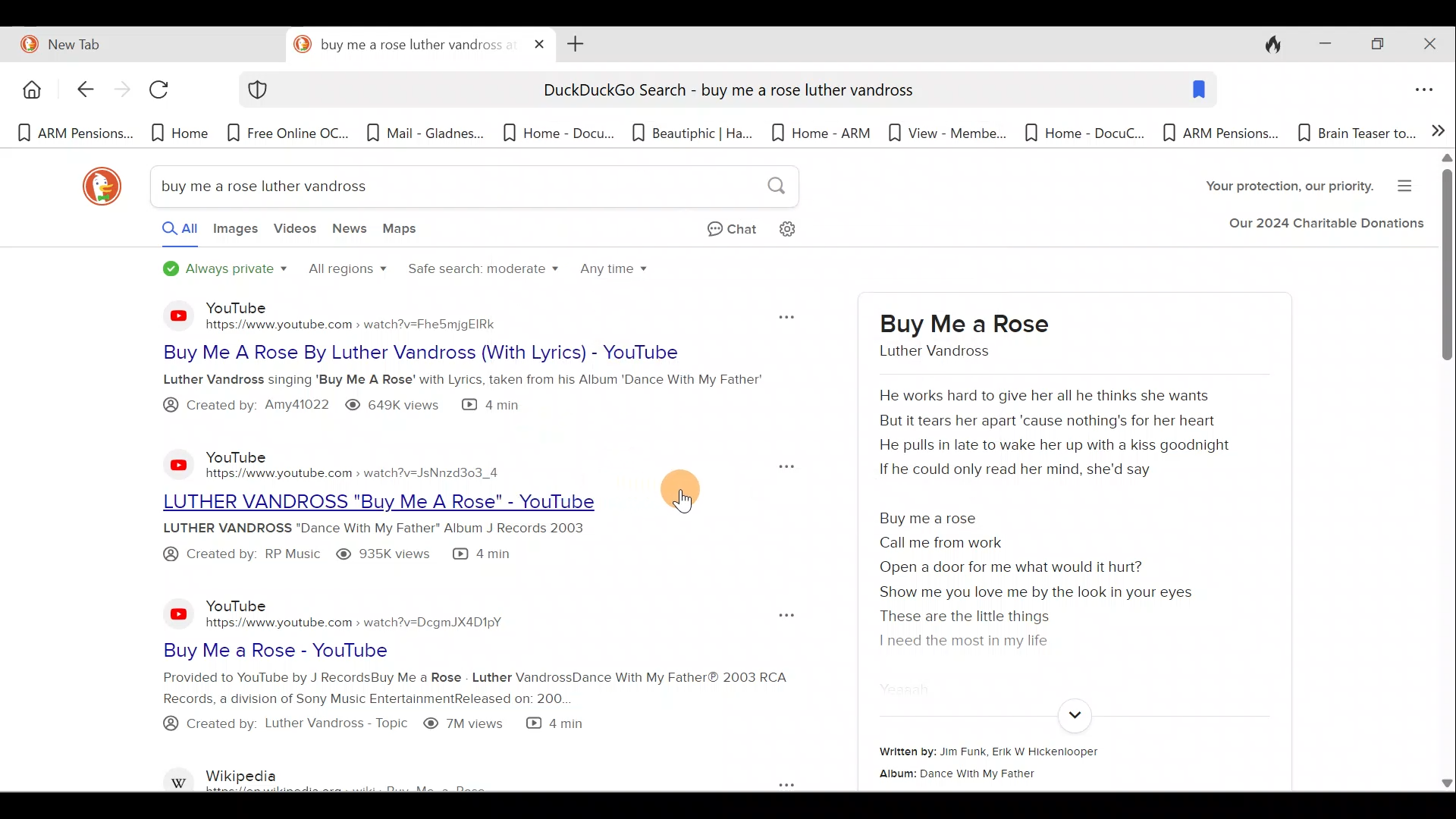 The width and height of the screenshot is (1456, 819). Describe the element at coordinates (295, 234) in the screenshot. I see `Videos` at that location.